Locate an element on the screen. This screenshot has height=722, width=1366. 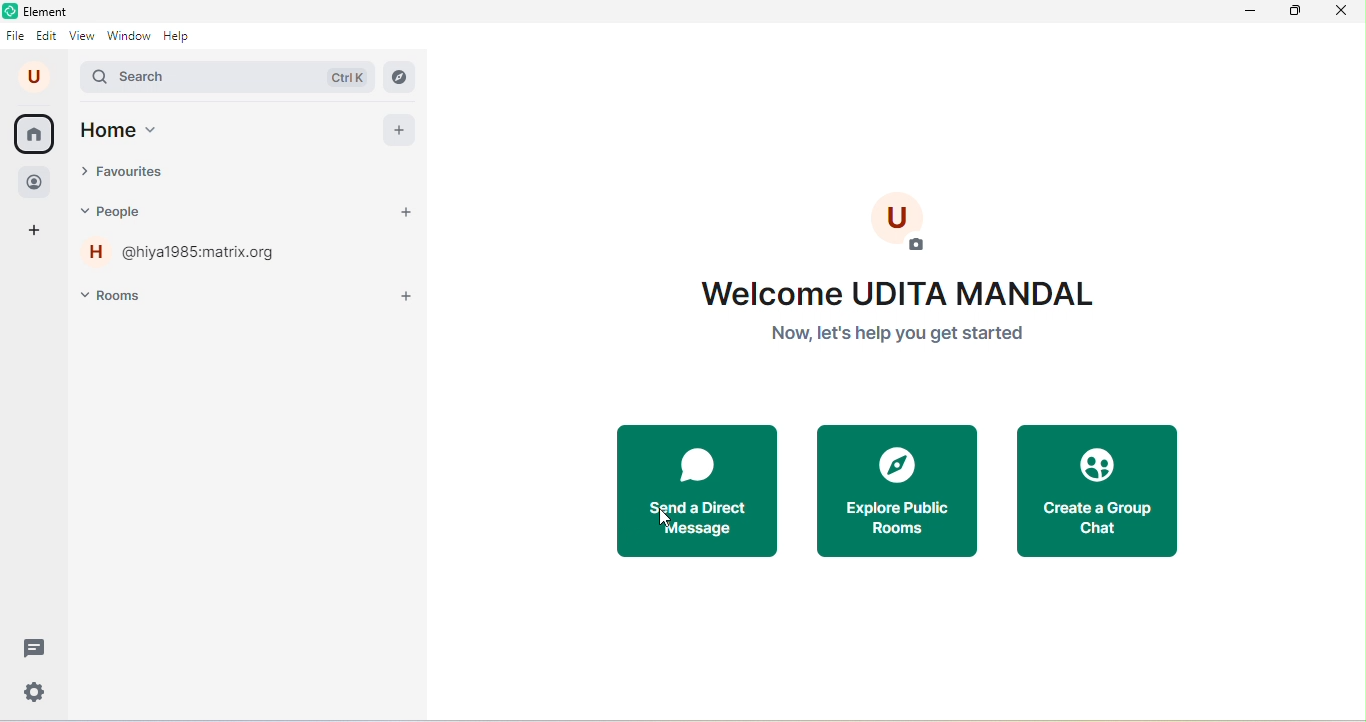
u is located at coordinates (37, 77).